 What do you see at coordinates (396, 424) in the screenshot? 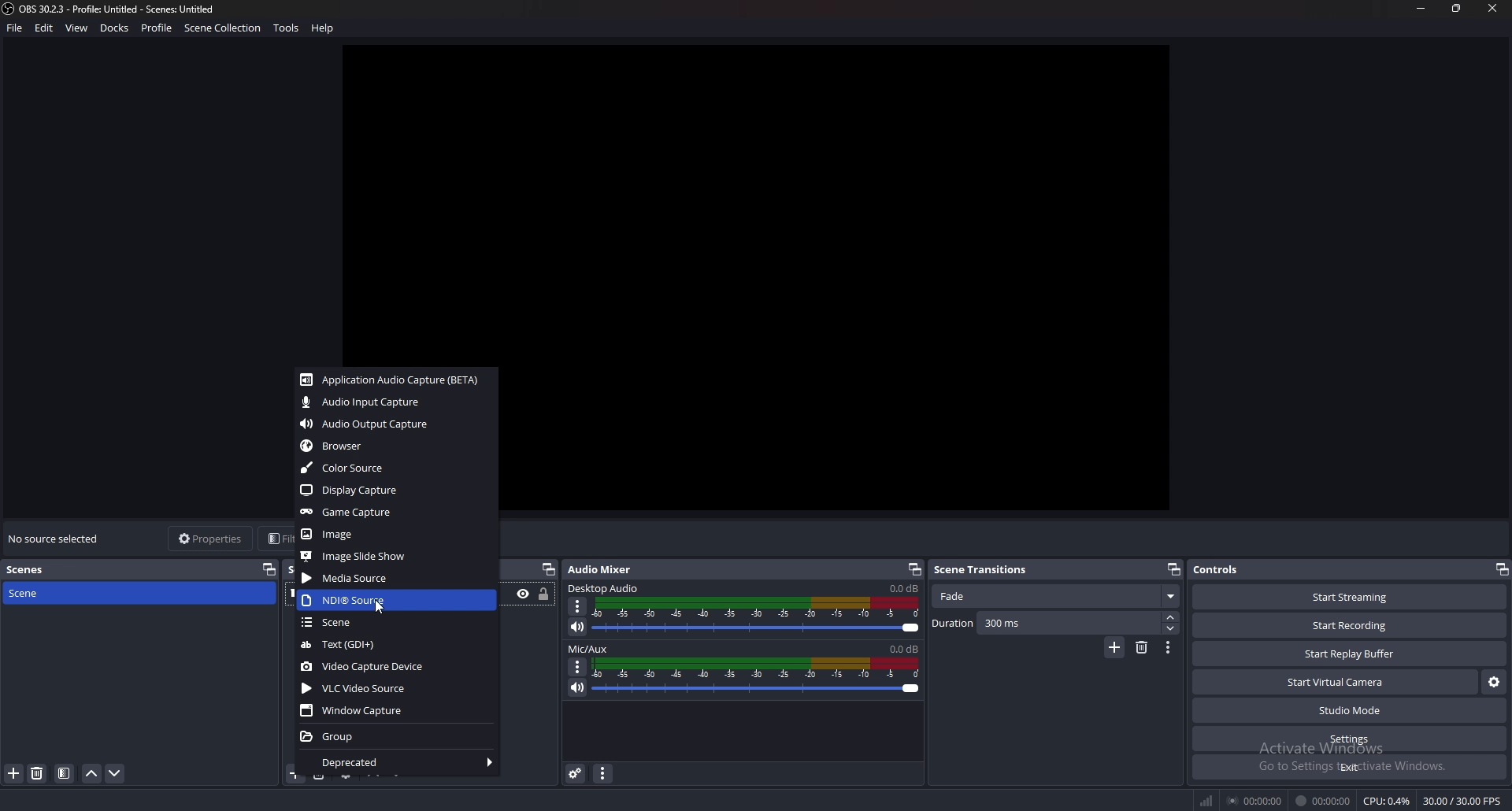
I see `audio output capture` at bounding box center [396, 424].